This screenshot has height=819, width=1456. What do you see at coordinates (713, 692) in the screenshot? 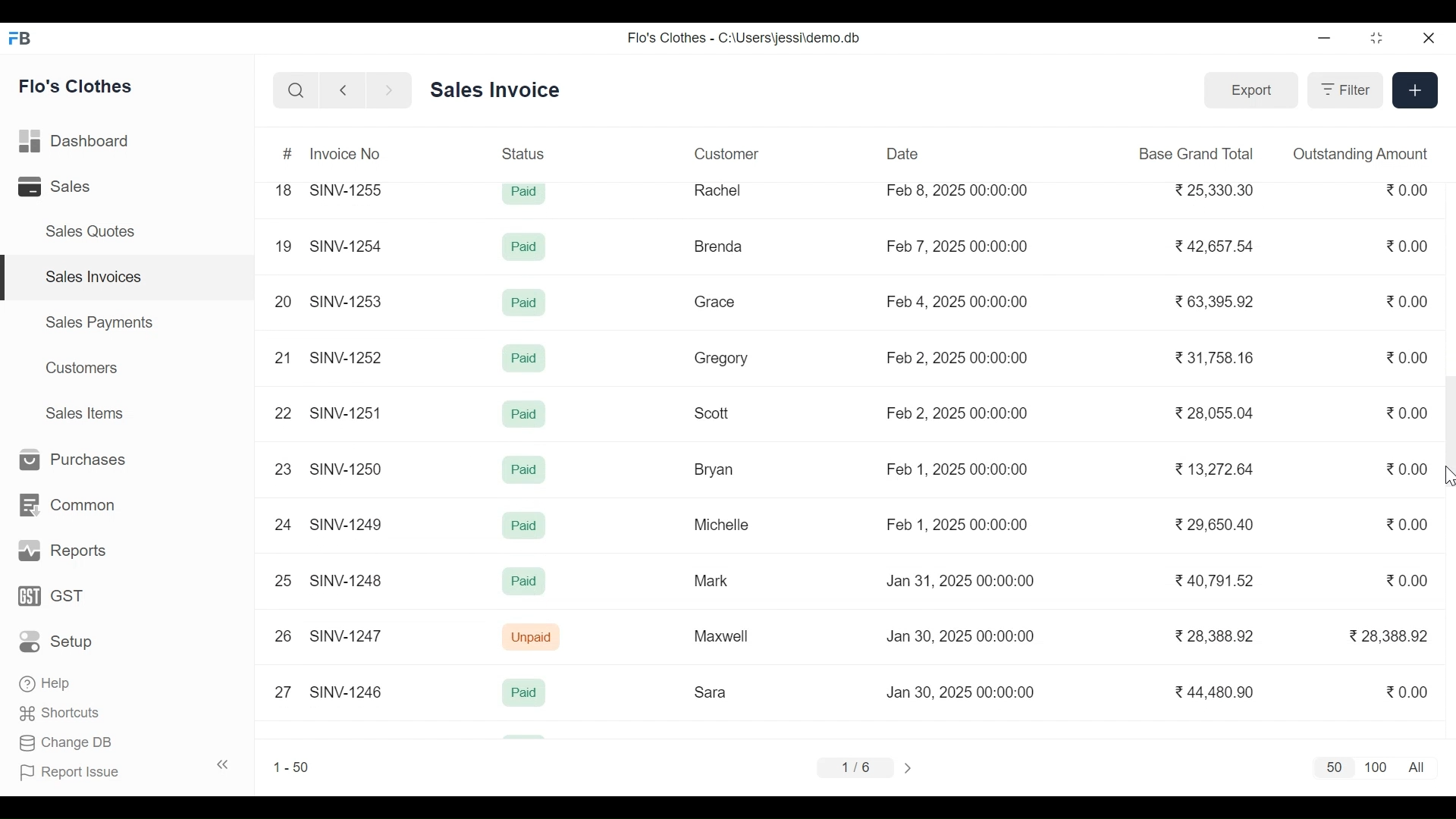
I see `Sara` at bounding box center [713, 692].